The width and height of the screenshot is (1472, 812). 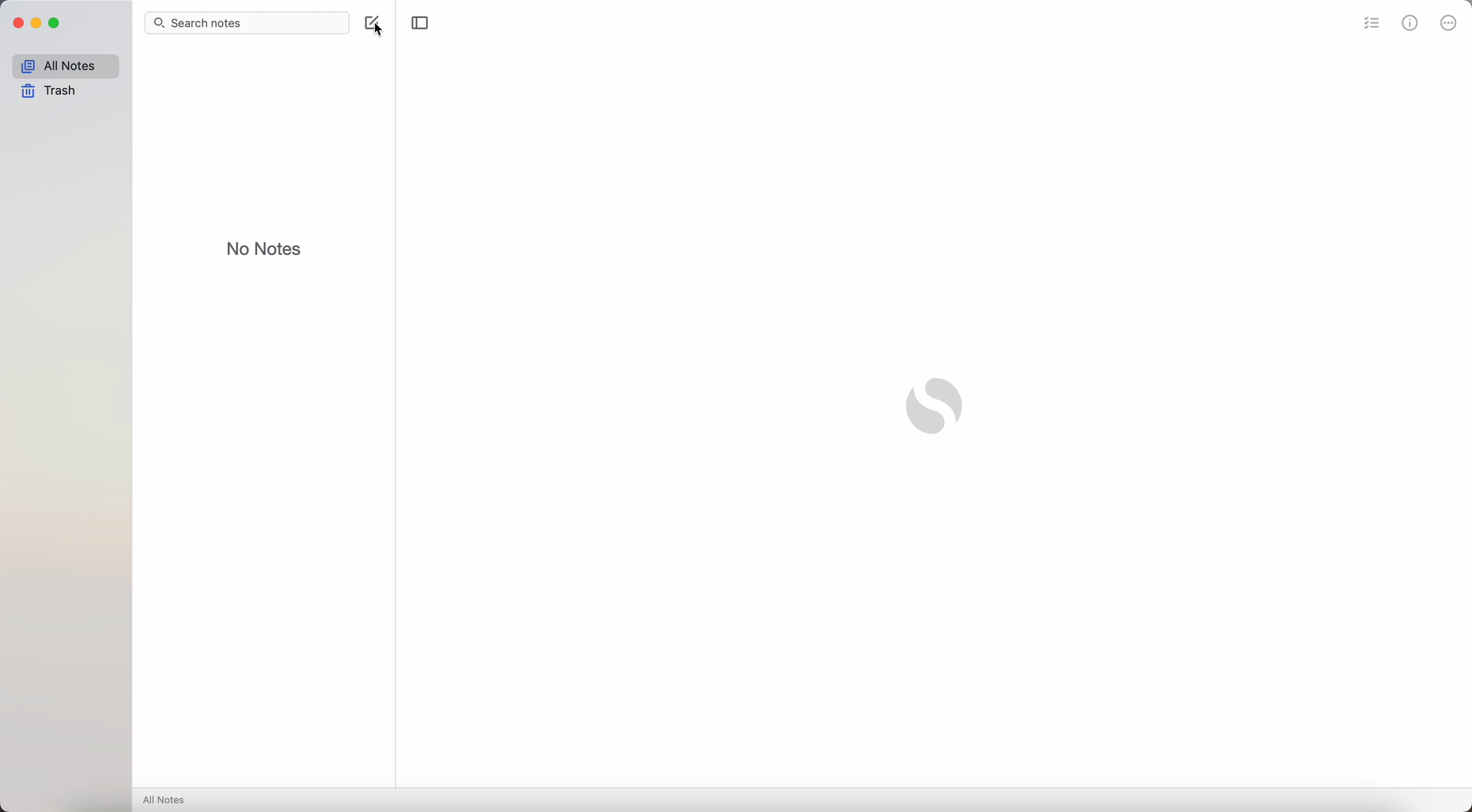 I want to click on cursor, so click(x=373, y=26).